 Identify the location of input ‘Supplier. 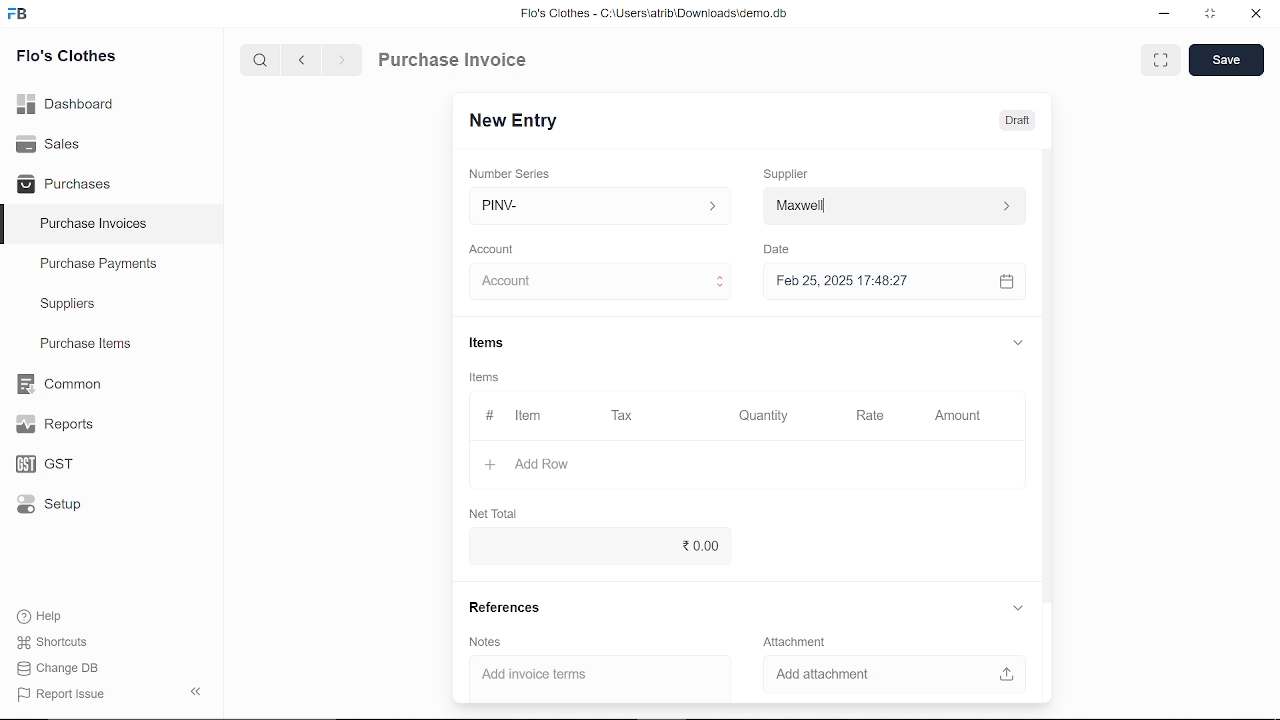
(894, 204).